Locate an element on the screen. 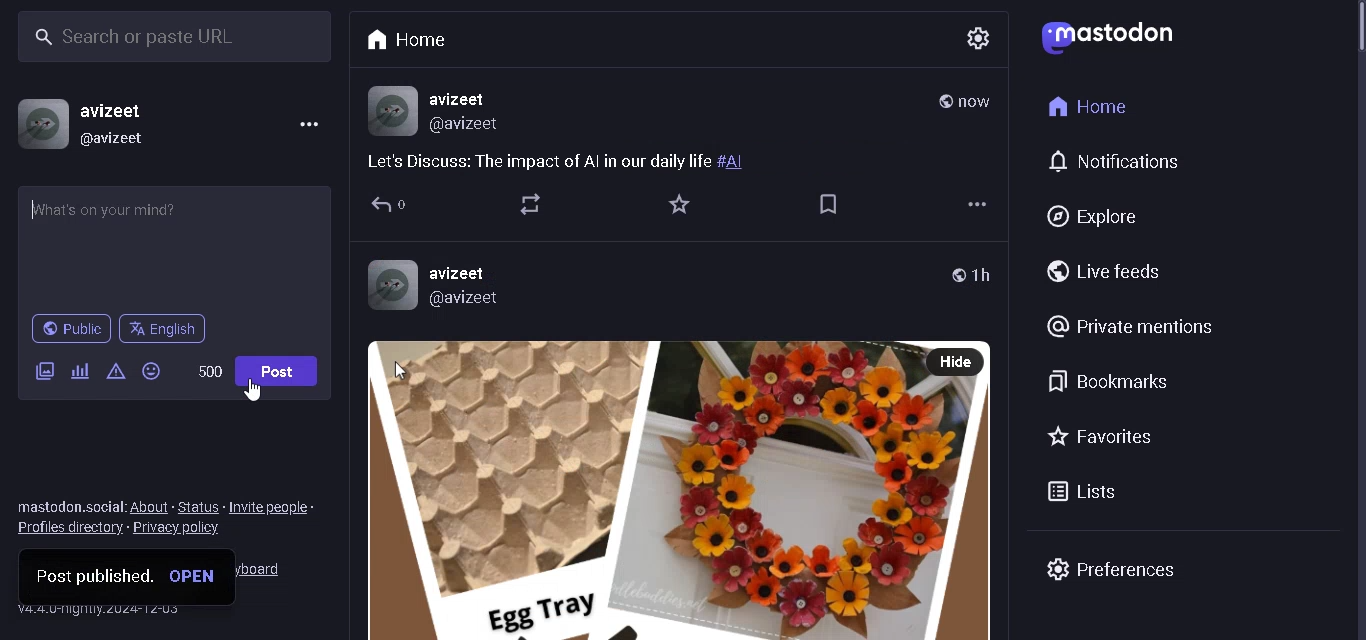 The width and height of the screenshot is (1366, 640). CURSOR is located at coordinates (250, 395).